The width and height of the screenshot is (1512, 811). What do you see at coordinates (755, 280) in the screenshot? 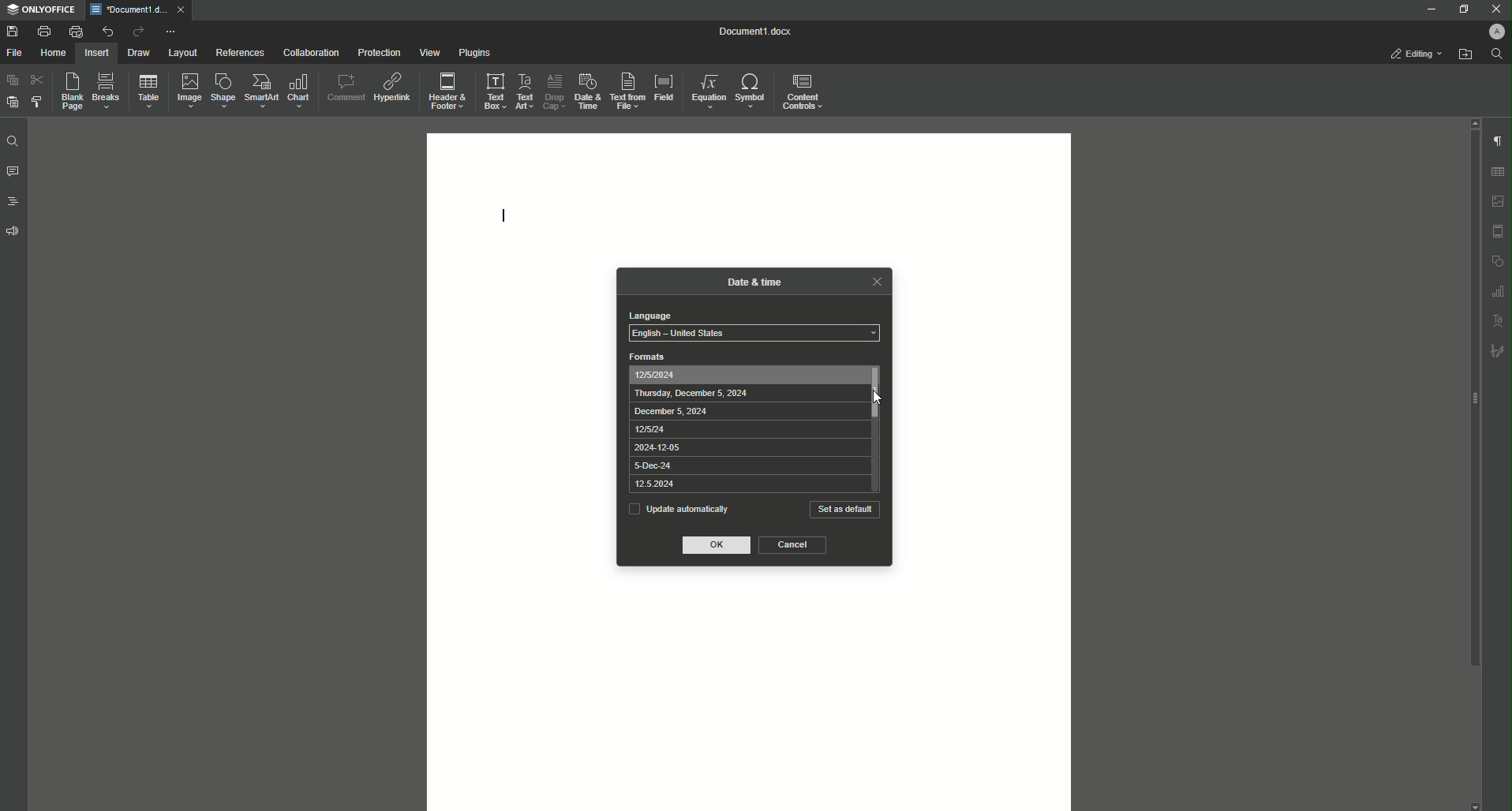
I see `date & time` at bounding box center [755, 280].